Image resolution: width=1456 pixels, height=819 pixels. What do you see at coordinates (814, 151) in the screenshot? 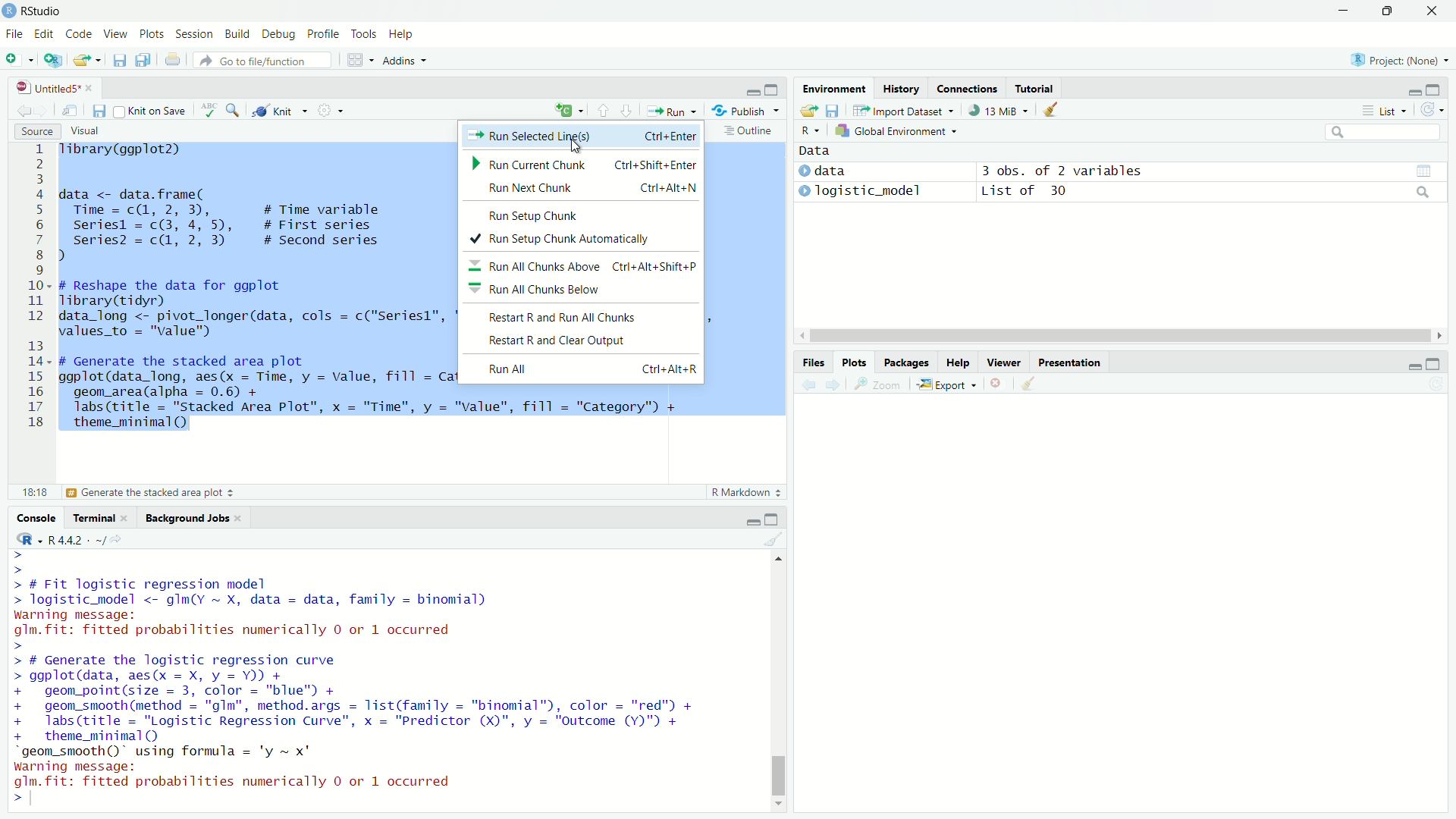
I see `Data` at bounding box center [814, 151].